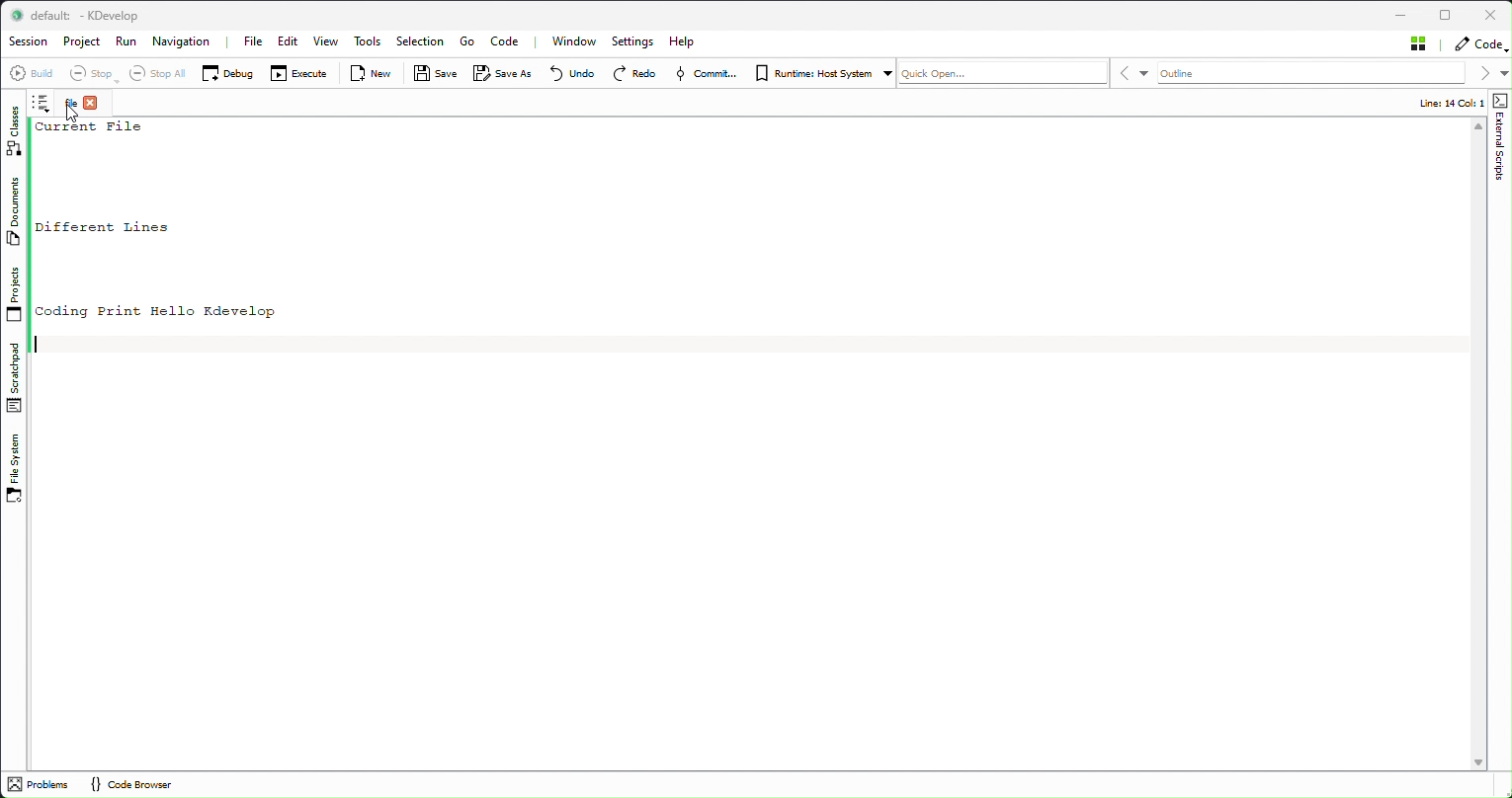 Image resolution: width=1512 pixels, height=798 pixels. What do you see at coordinates (437, 73) in the screenshot?
I see `Save` at bounding box center [437, 73].